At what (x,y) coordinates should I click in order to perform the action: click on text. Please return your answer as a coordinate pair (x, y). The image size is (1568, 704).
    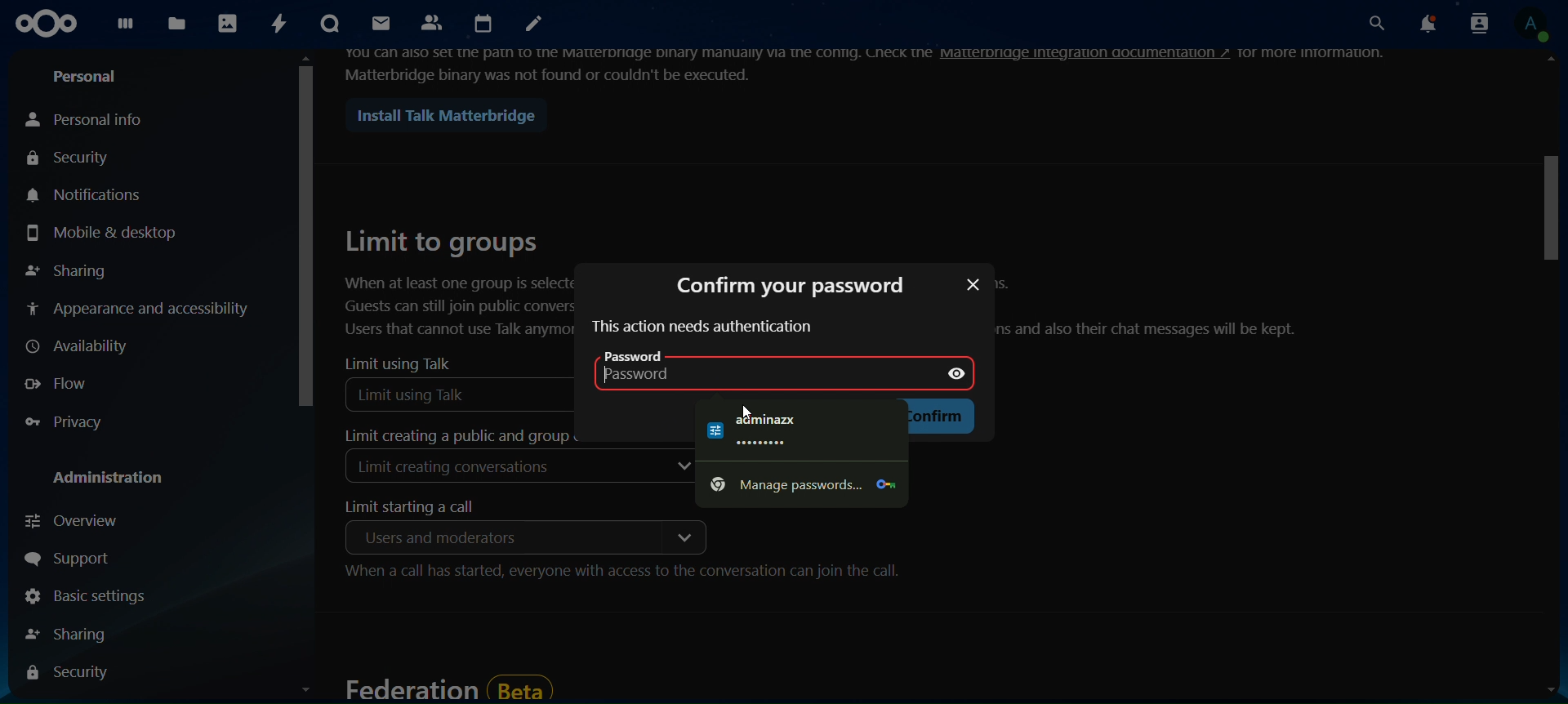
    Looking at the image, I should click on (702, 327).